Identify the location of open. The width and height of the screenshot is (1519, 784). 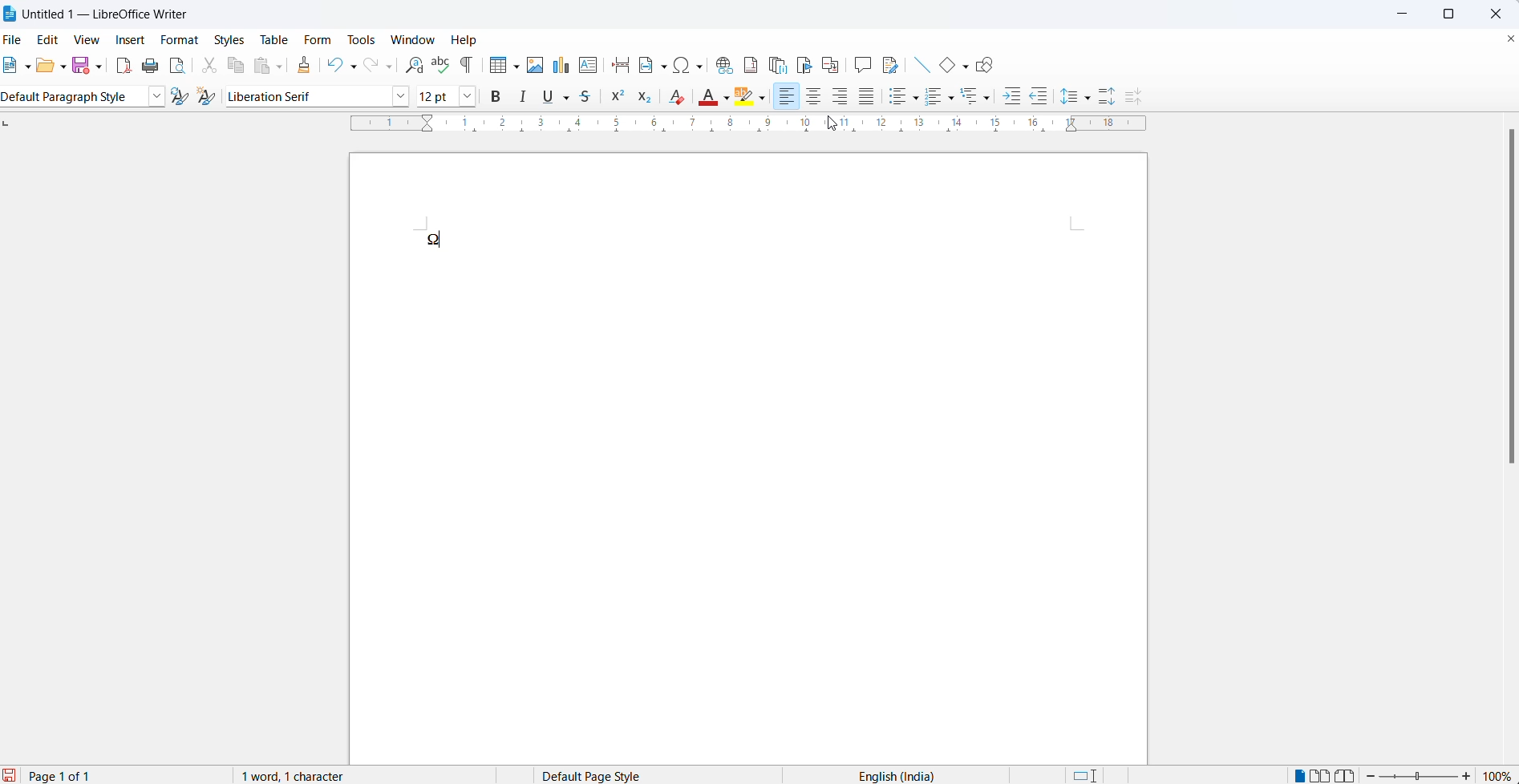
(45, 66).